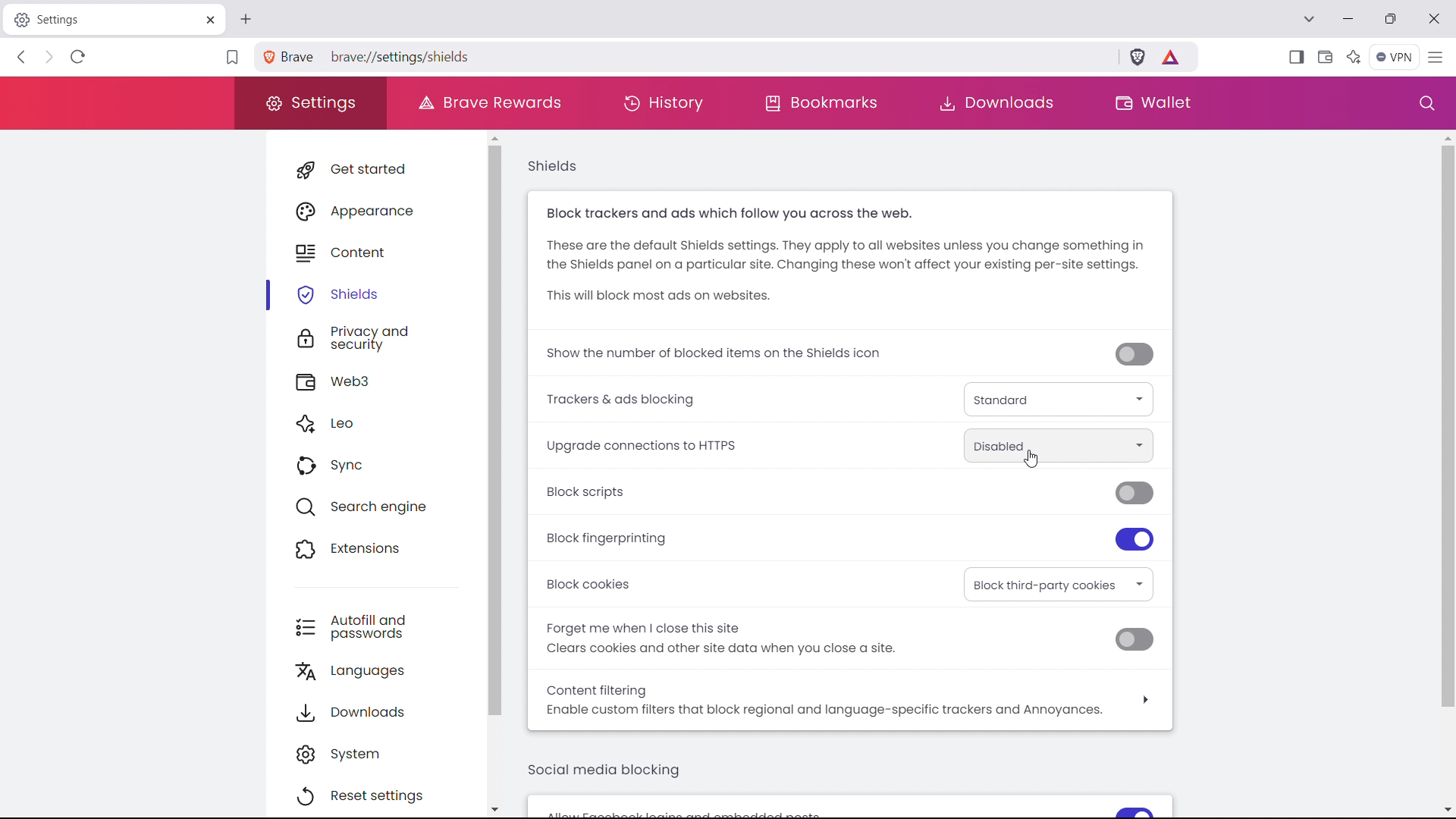 This screenshot has height=819, width=1456. I want to click on scroll down, so click(1445, 806).